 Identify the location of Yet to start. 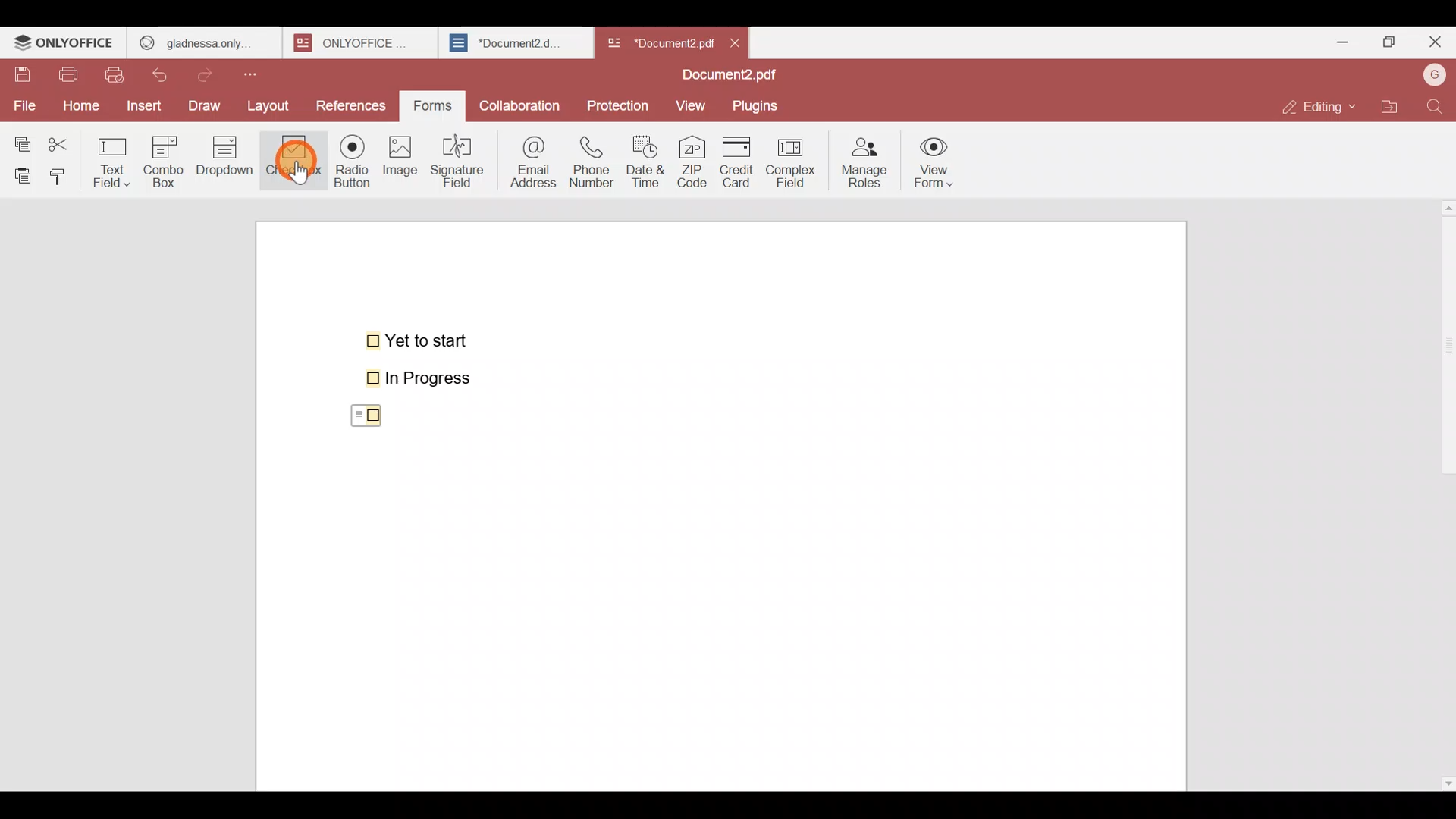
(420, 339).